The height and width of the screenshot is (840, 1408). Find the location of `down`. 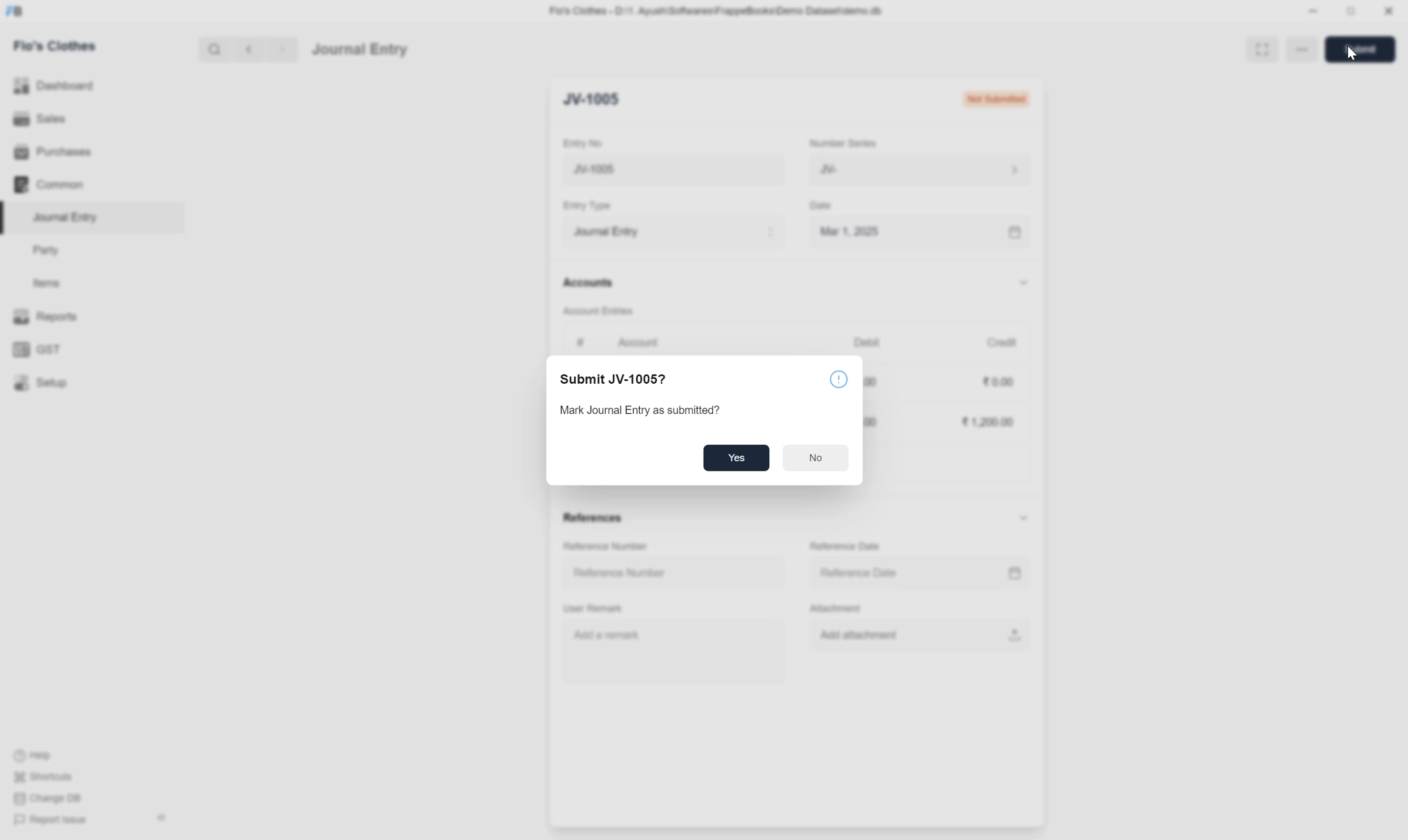

down is located at coordinates (1022, 284).